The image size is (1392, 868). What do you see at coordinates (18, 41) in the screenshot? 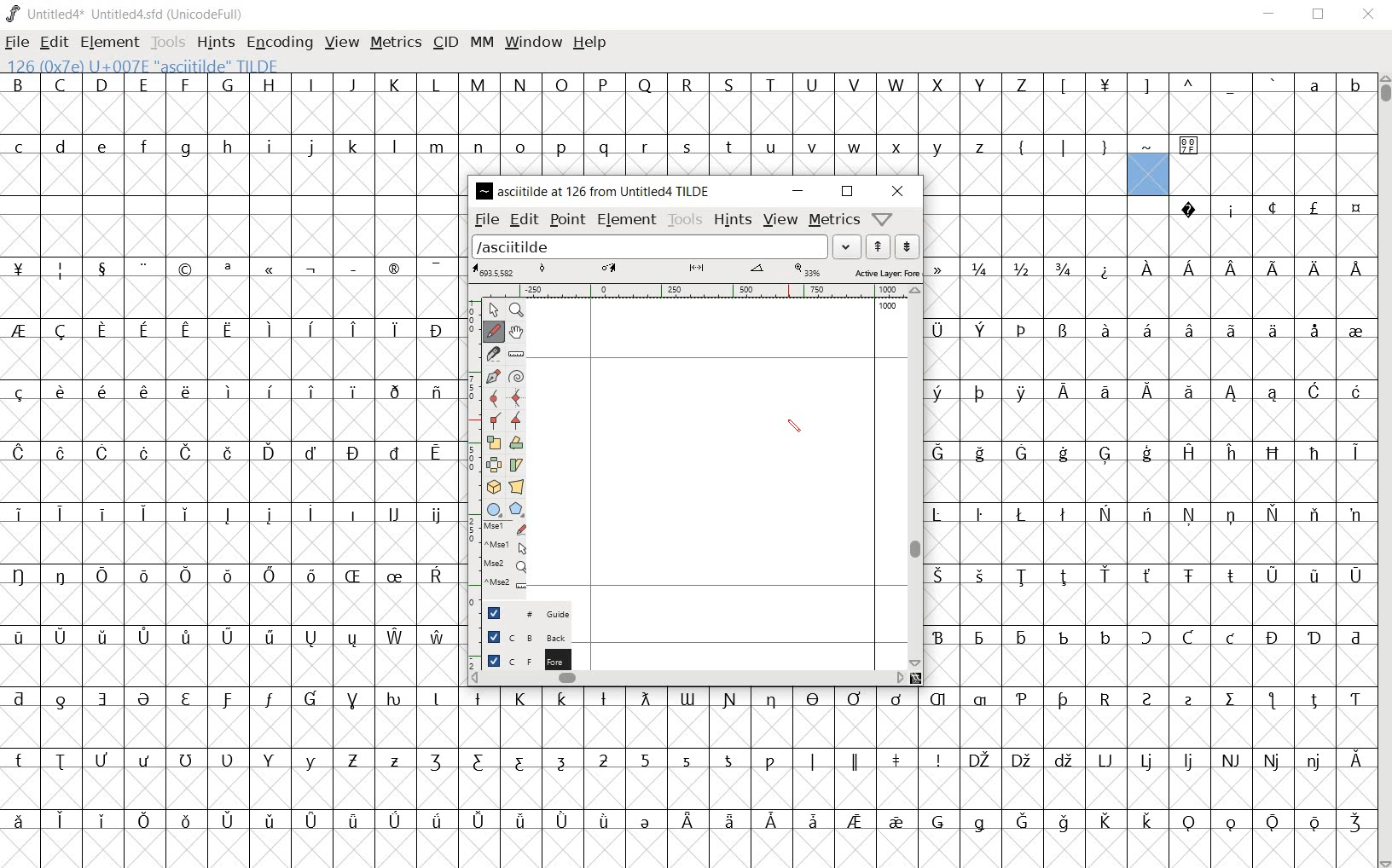
I see `FILE` at bounding box center [18, 41].